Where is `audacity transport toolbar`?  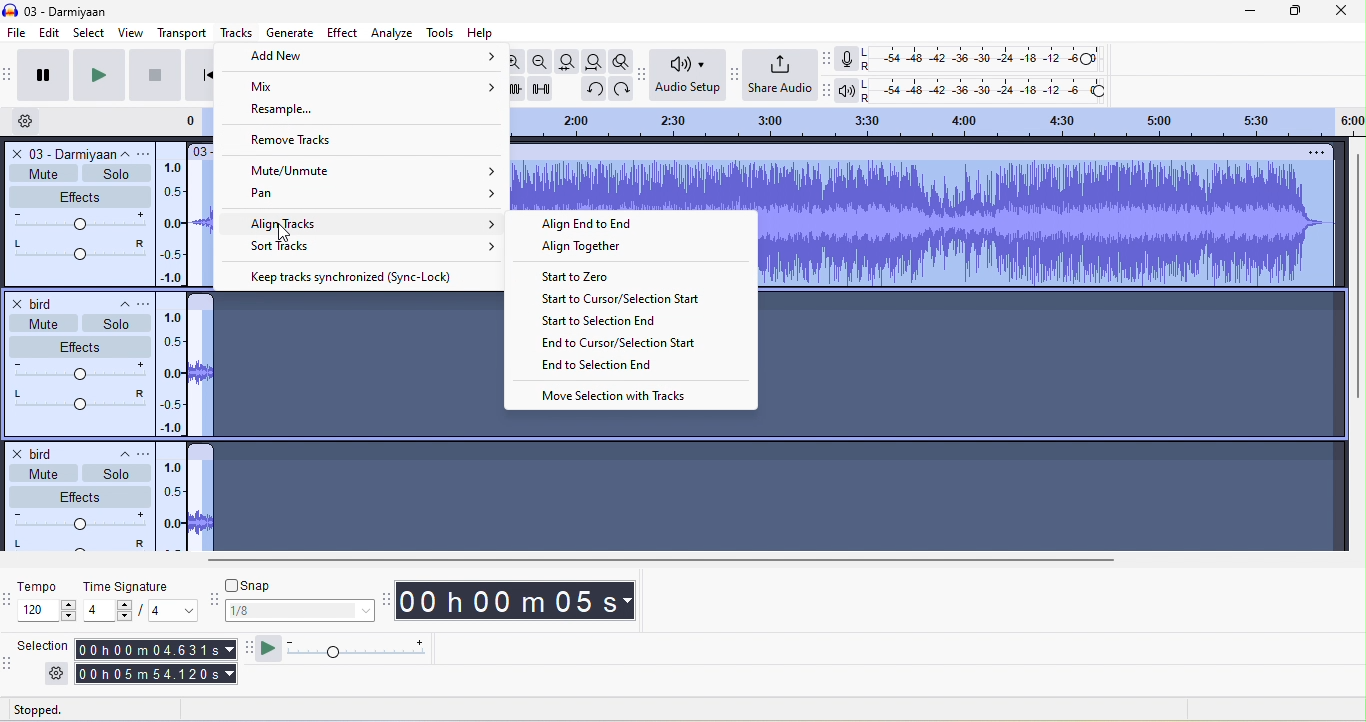 audacity transport toolbar is located at coordinates (9, 74).